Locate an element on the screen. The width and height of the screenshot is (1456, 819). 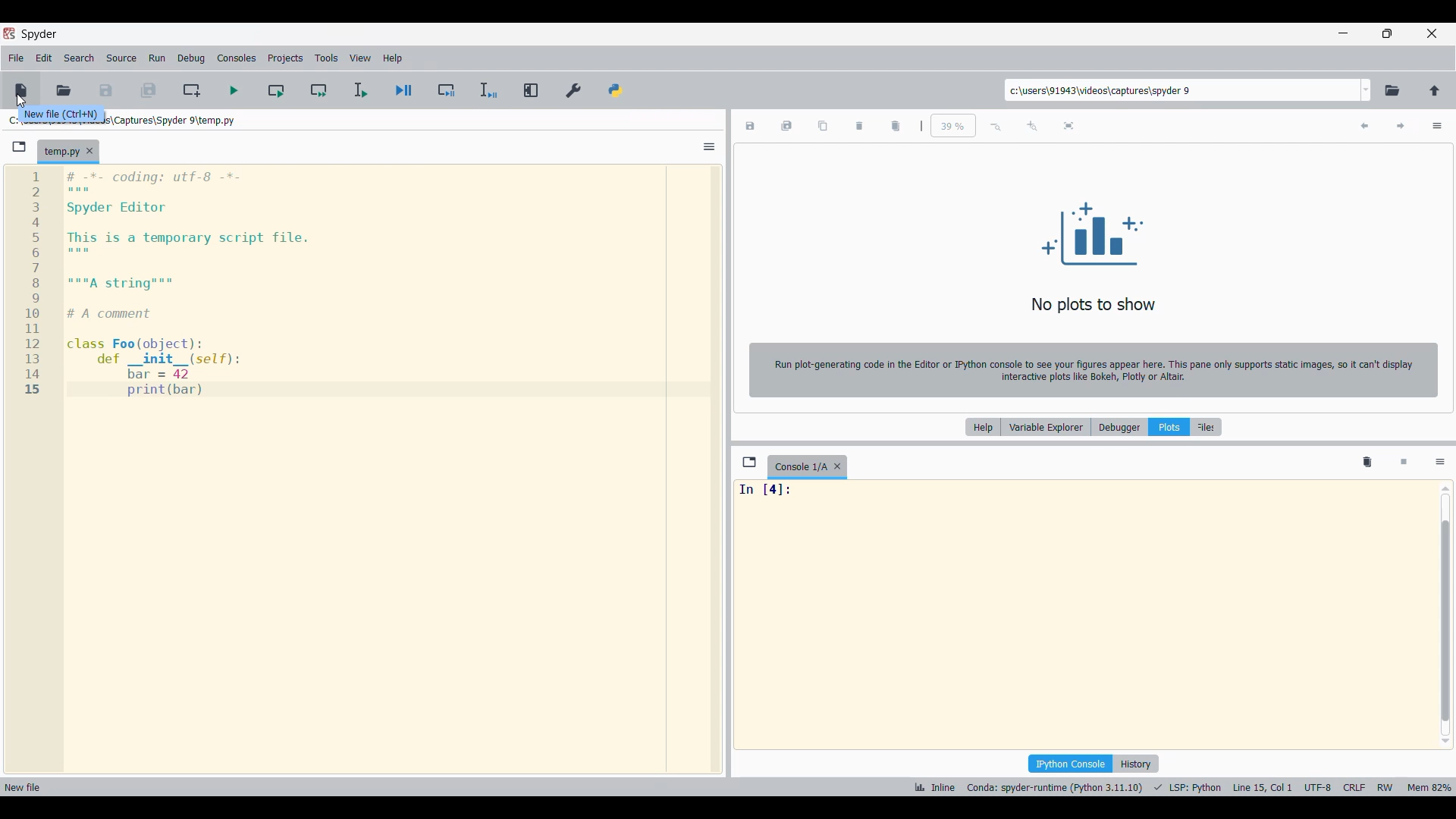
Run menu is located at coordinates (157, 58).